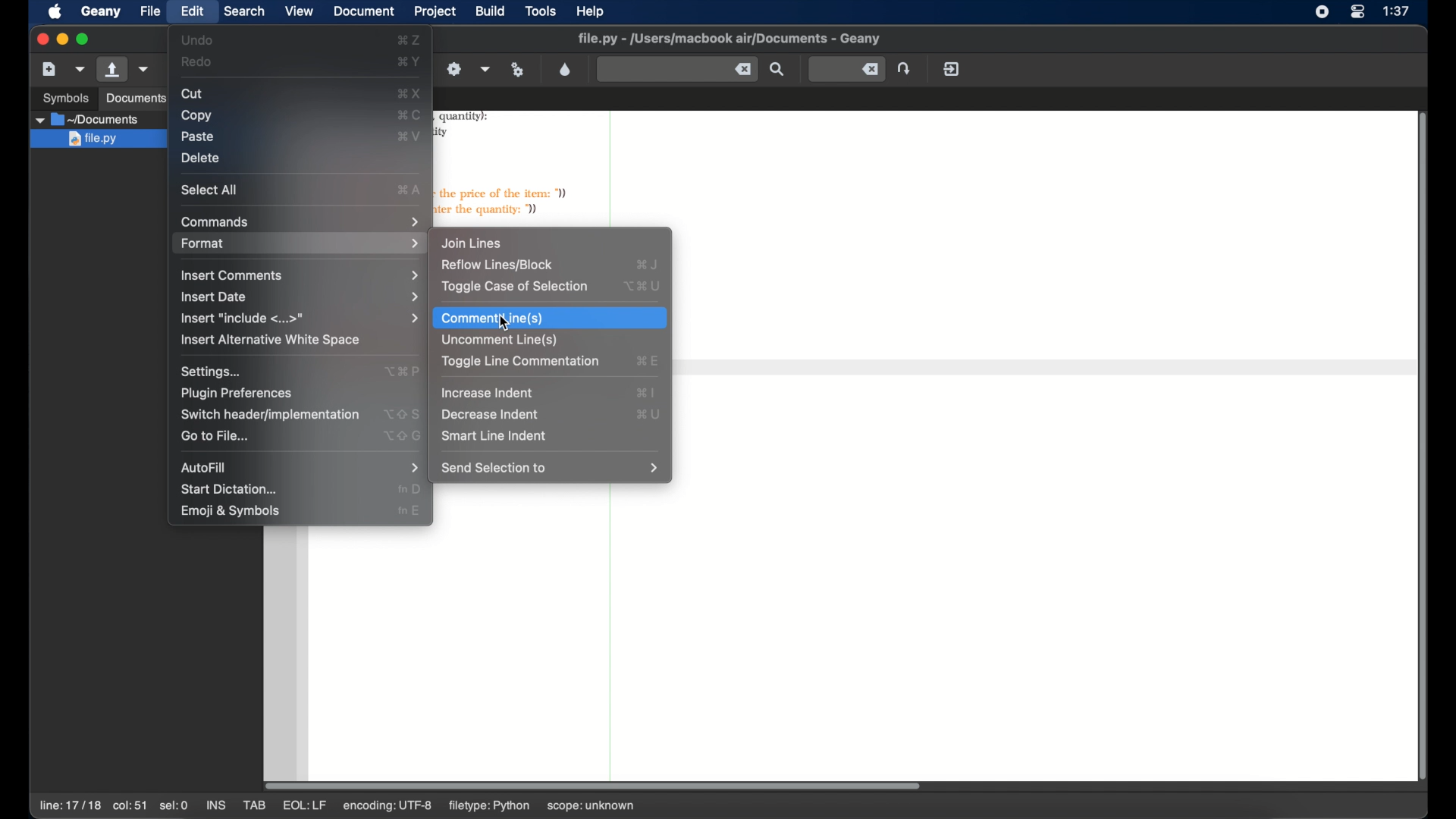 The image size is (1456, 819). Describe the element at coordinates (601, 784) in the screenshot. I see `scroll bar` at that location.